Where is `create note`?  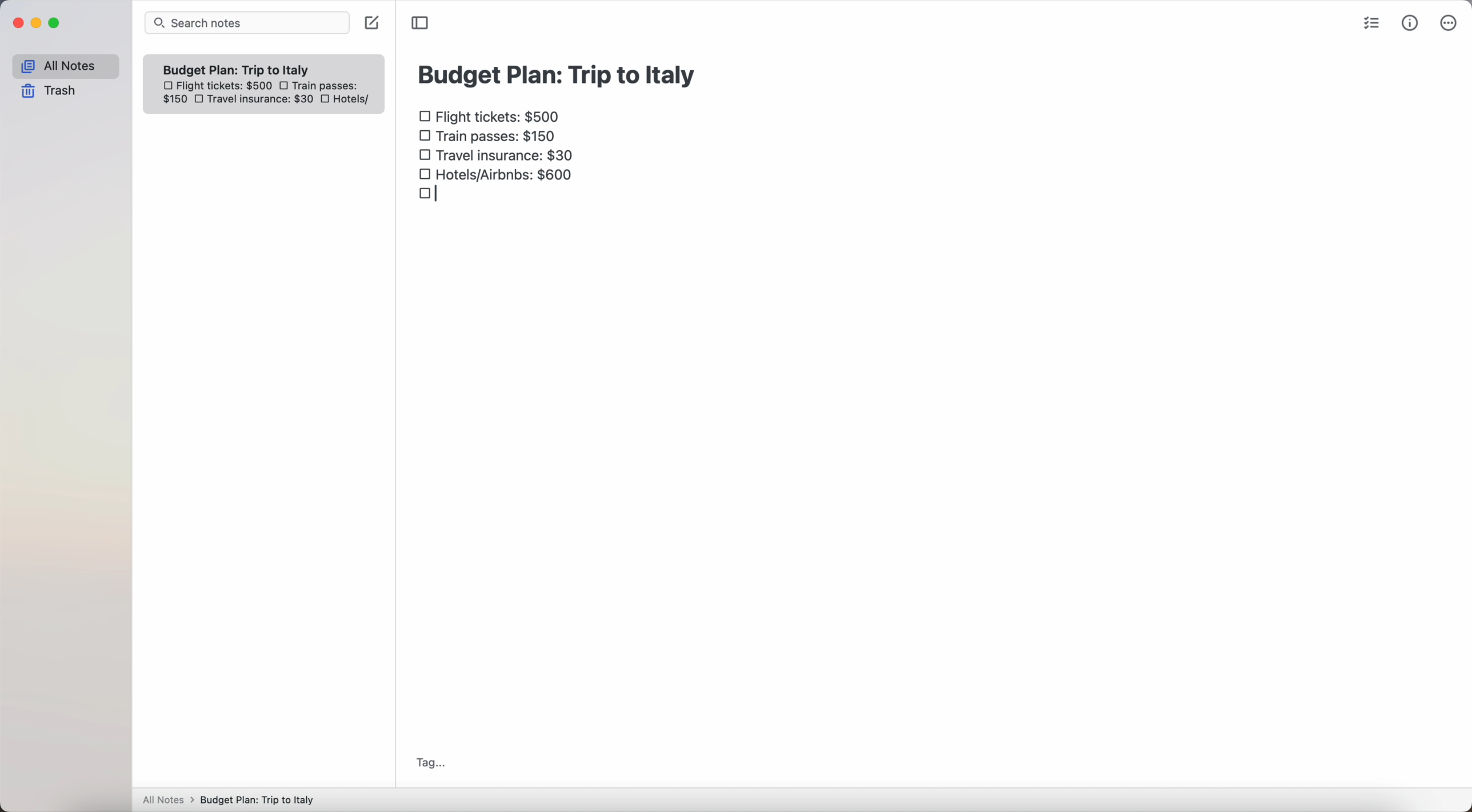 create note is located at coordinates (371, 24).